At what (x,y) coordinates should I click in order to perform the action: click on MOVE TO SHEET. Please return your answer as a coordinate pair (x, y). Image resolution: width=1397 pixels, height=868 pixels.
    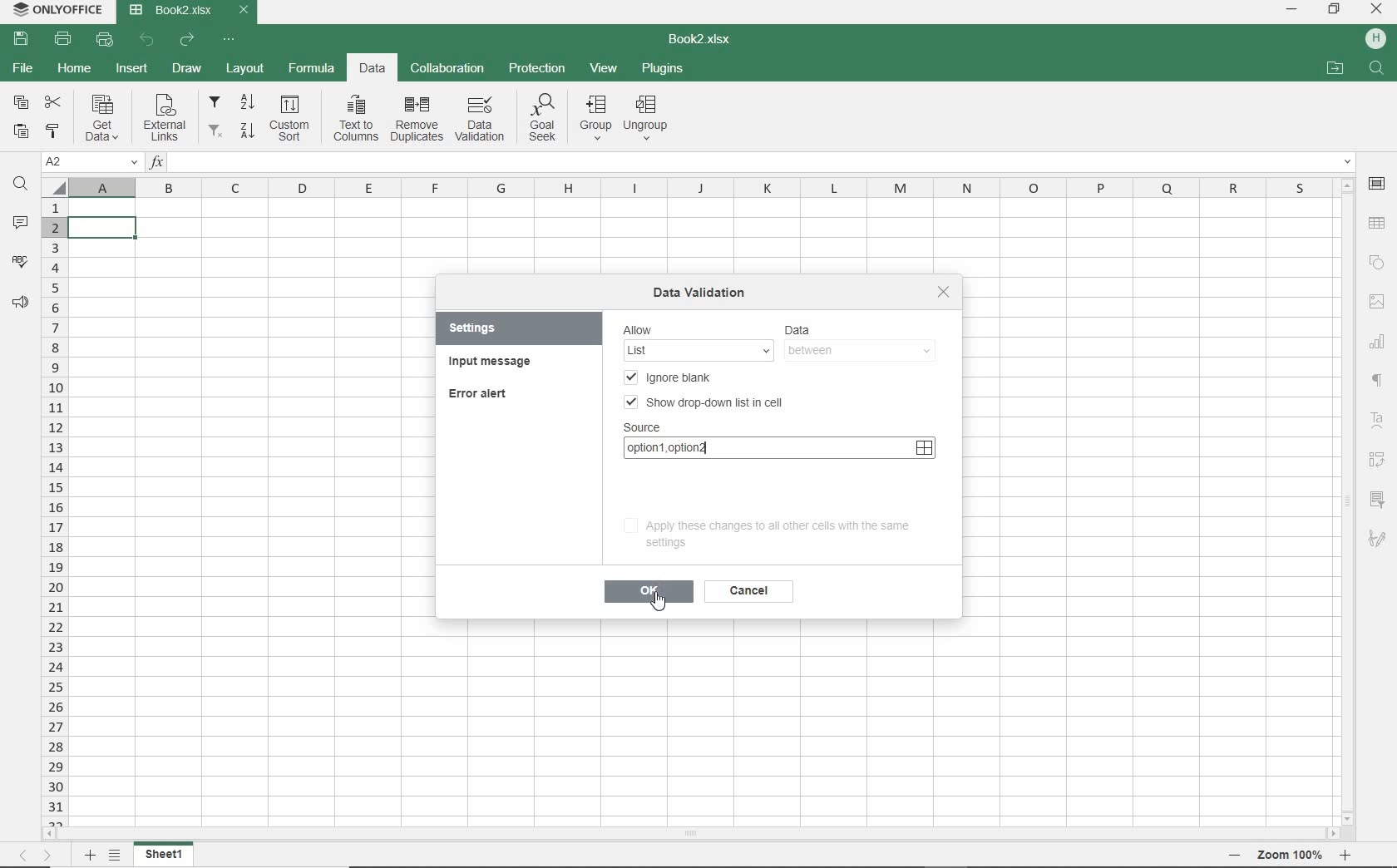
    Looking at the image, I should click on (32, 857).